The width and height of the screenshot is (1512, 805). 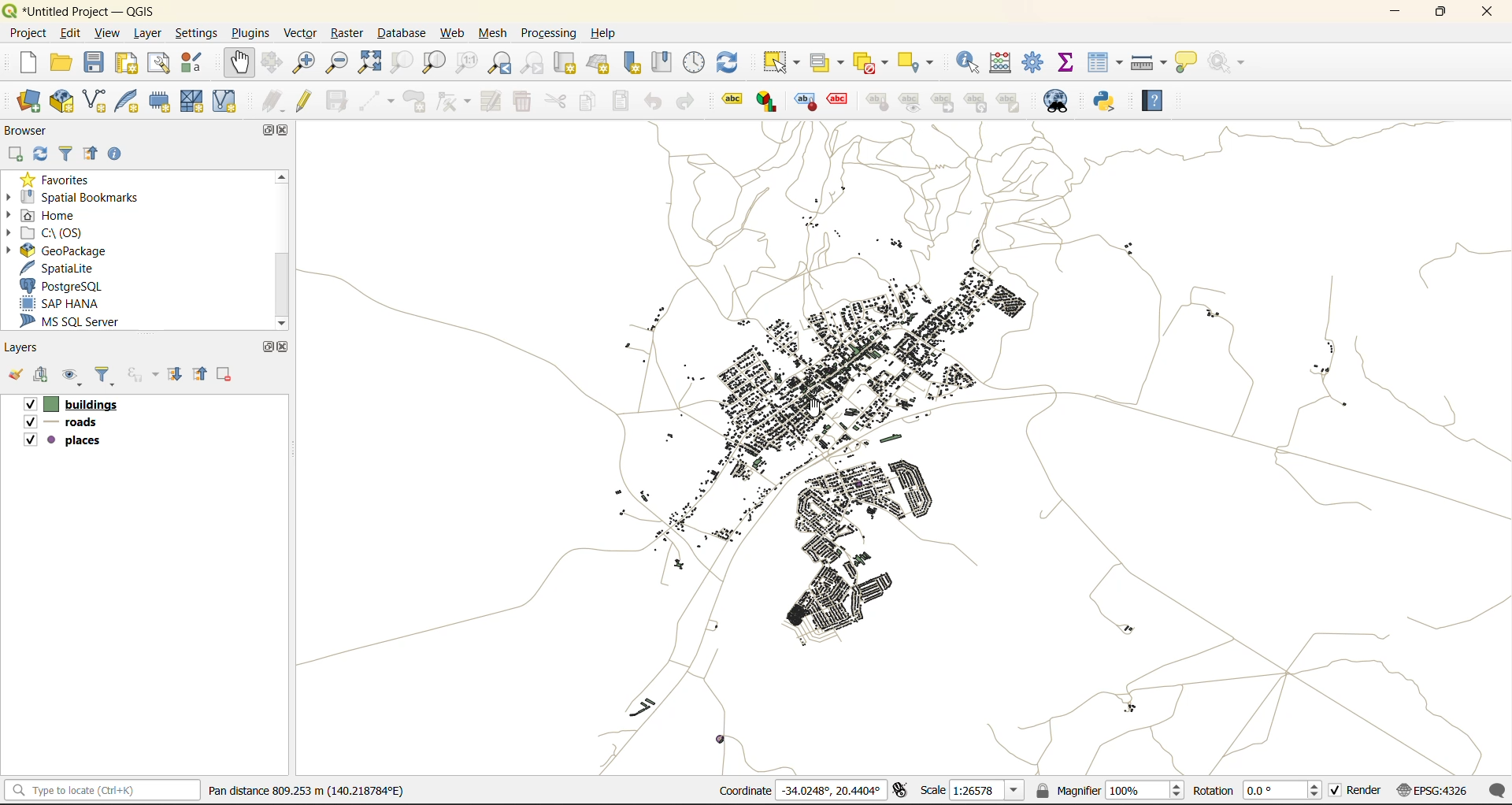 I want to click on new mesh, so click(x=194, y=100).